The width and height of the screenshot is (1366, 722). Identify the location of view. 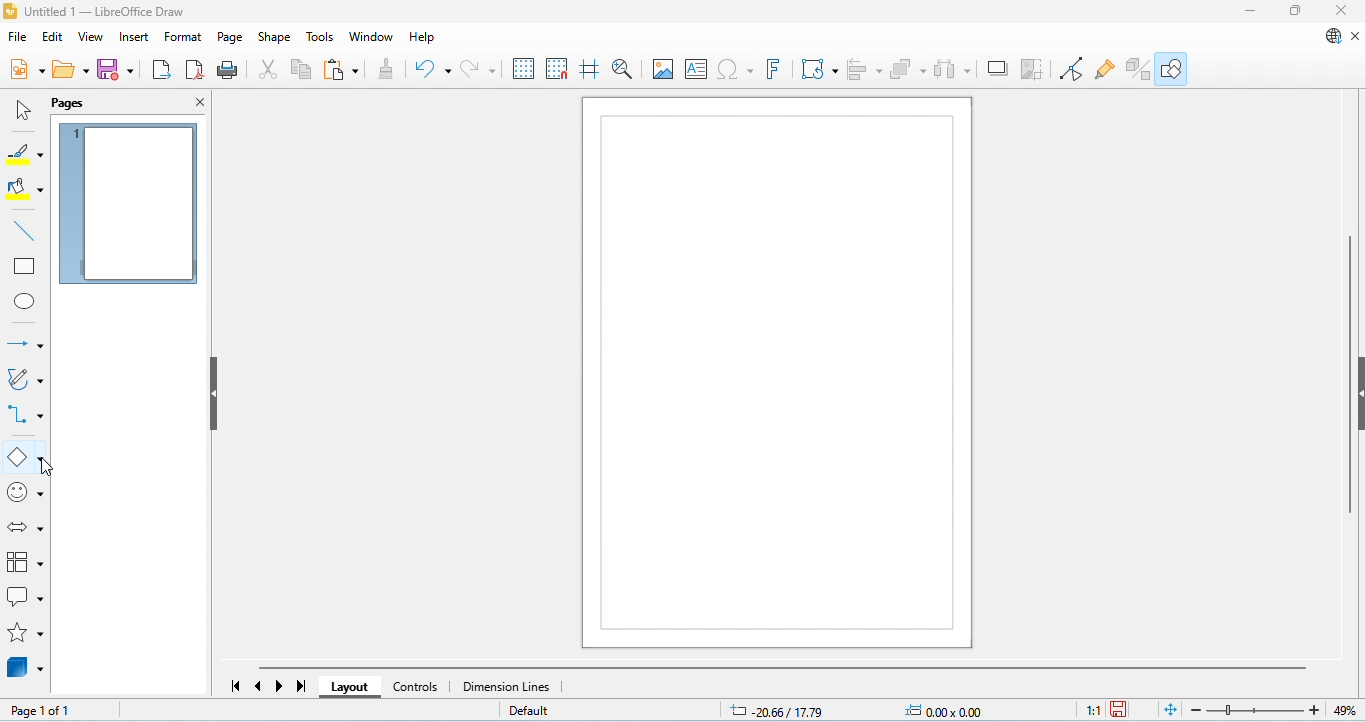
(90, 36).